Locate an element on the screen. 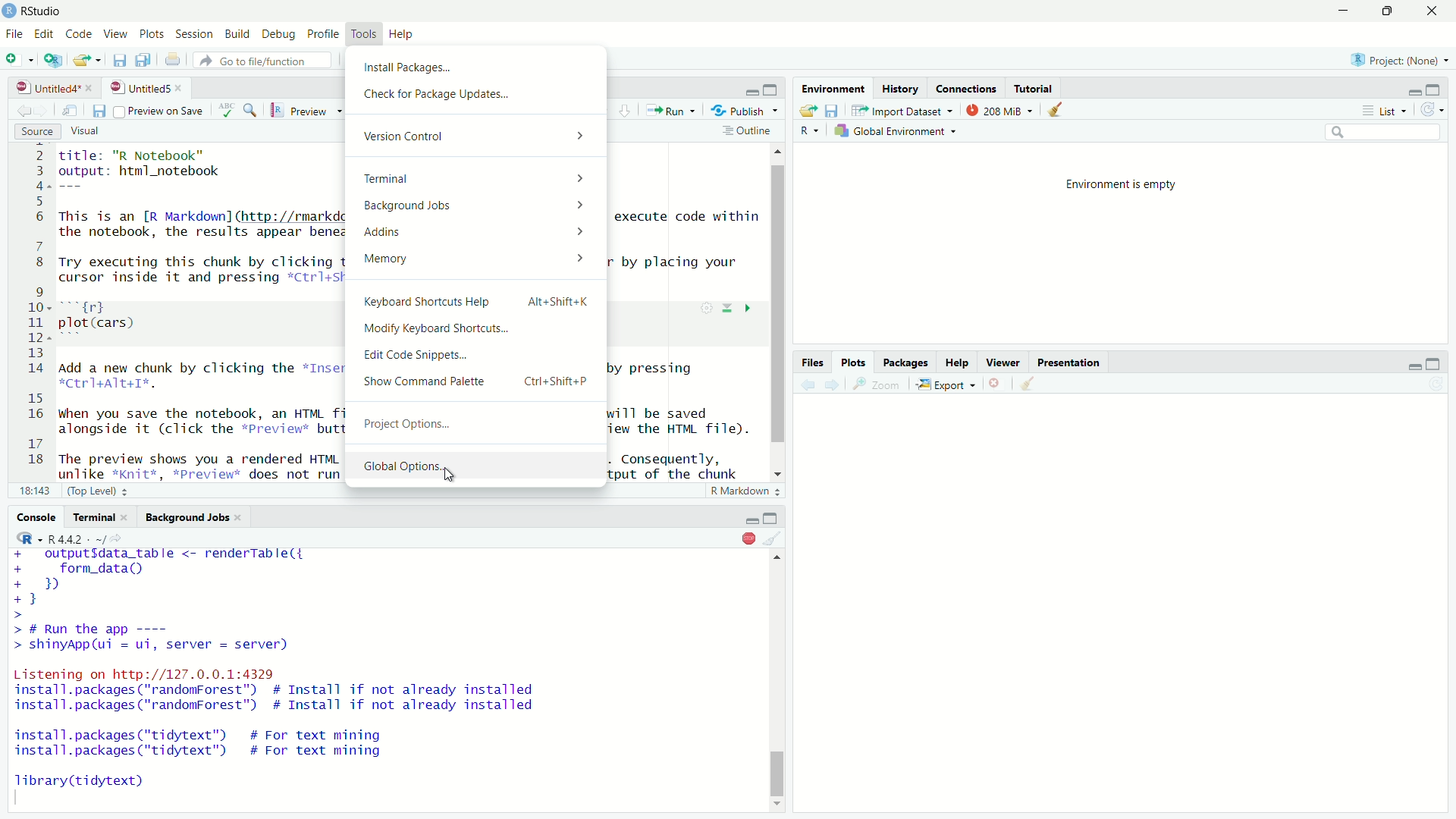 This screenshot has width=1456, height=819. R is located at coordinates (806, 131).